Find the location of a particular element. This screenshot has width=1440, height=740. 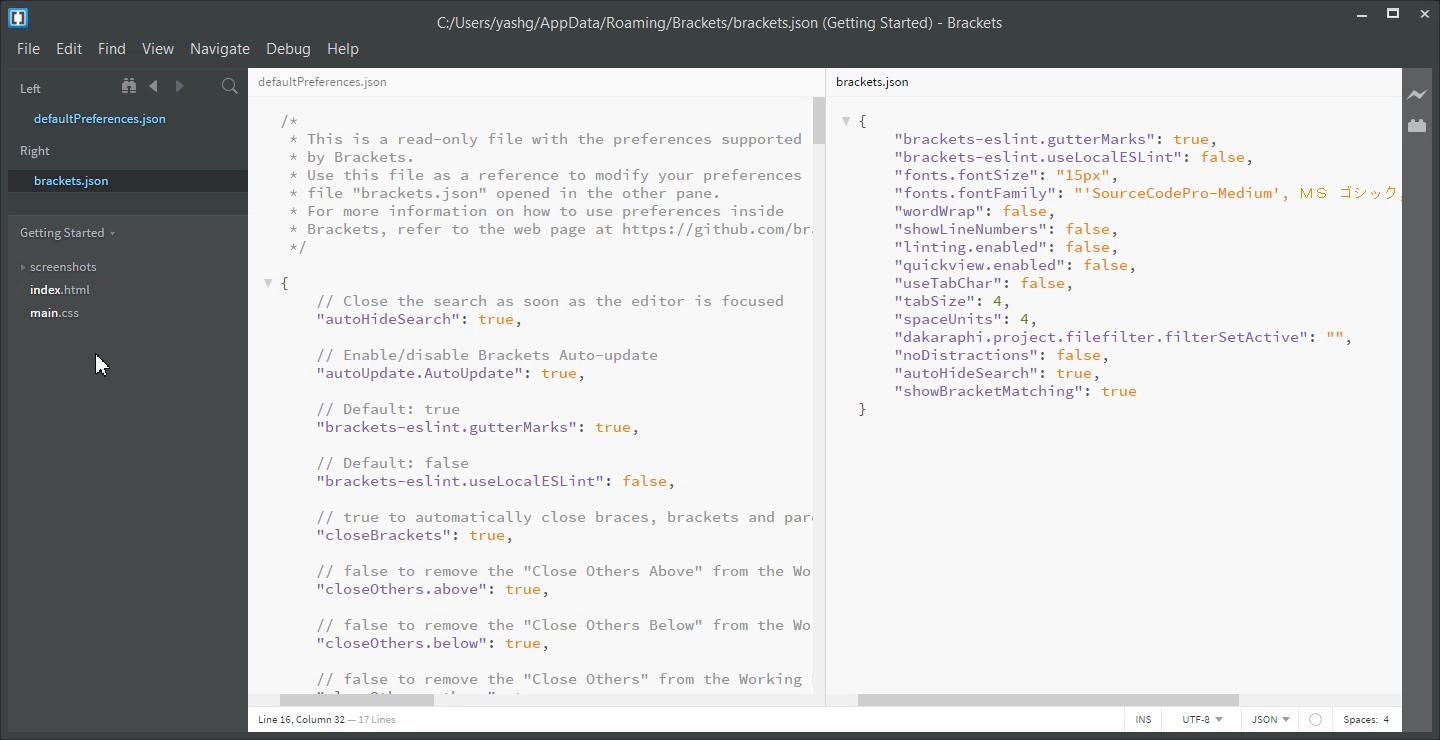

Left is located at coordinates (29, 93).